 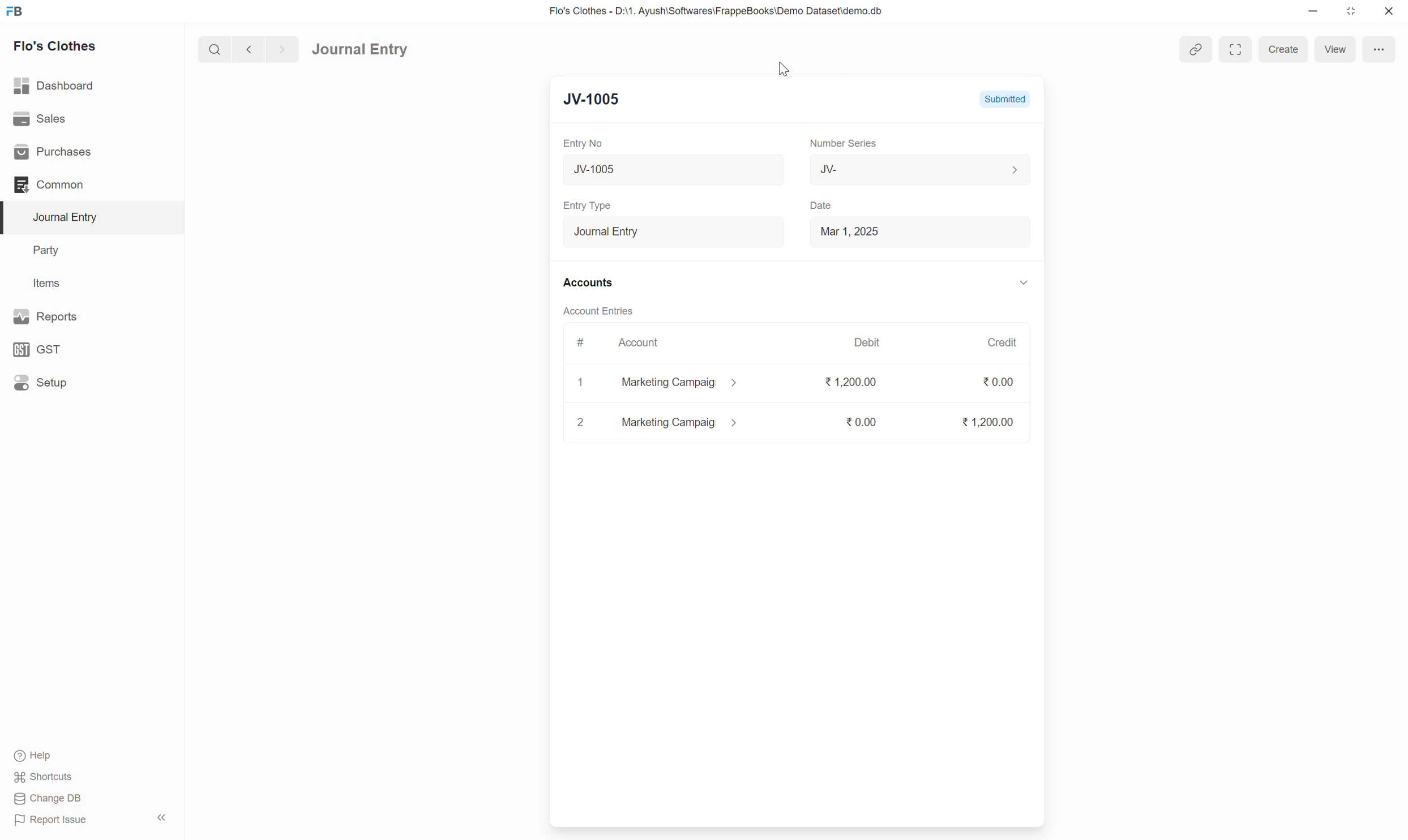 I want to click on marketing campaig, so click(x=688, y=383).